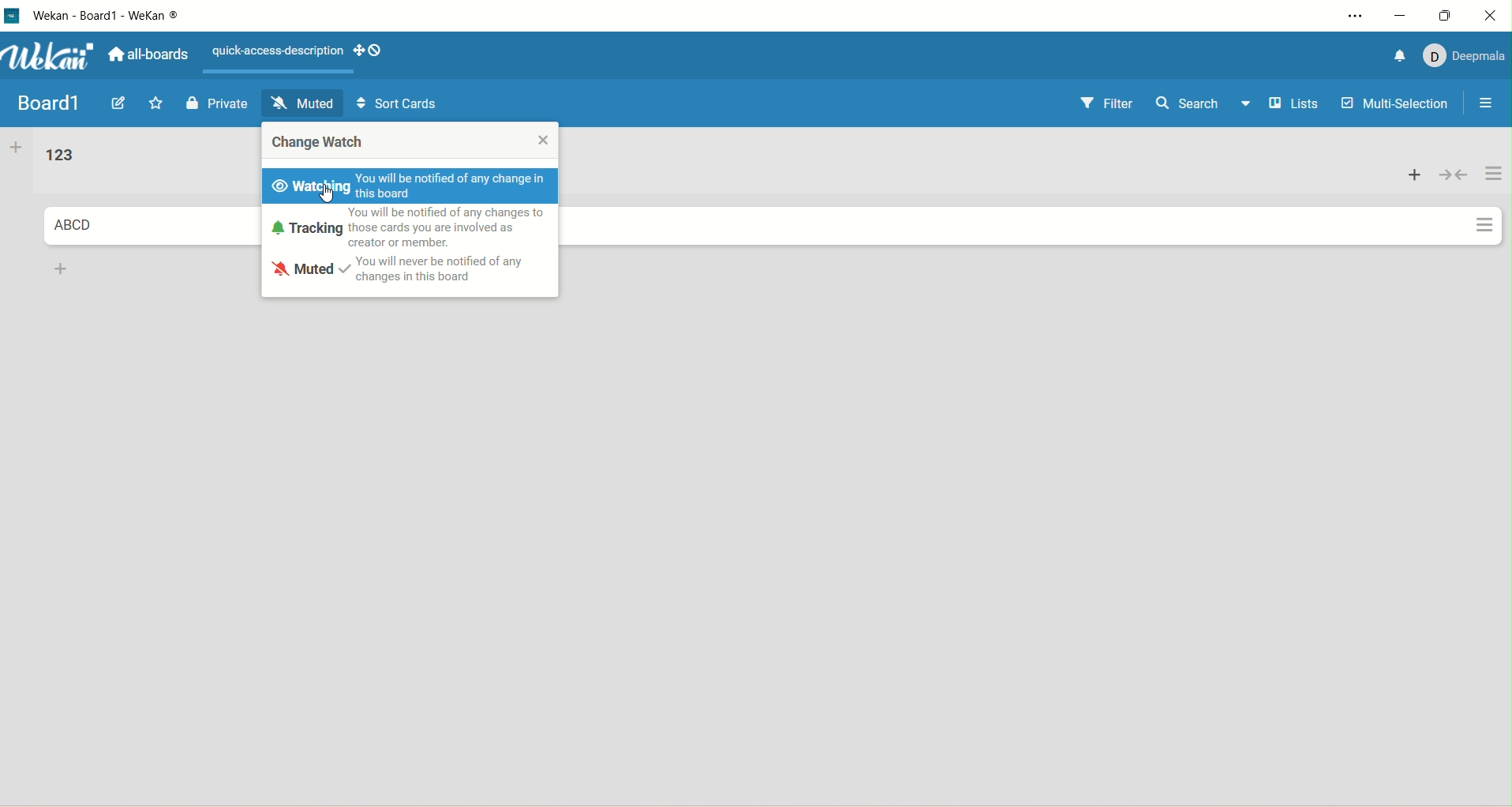 This screenshot has height=807, width=1512. I want to click on minimize, so click(1399, 17).